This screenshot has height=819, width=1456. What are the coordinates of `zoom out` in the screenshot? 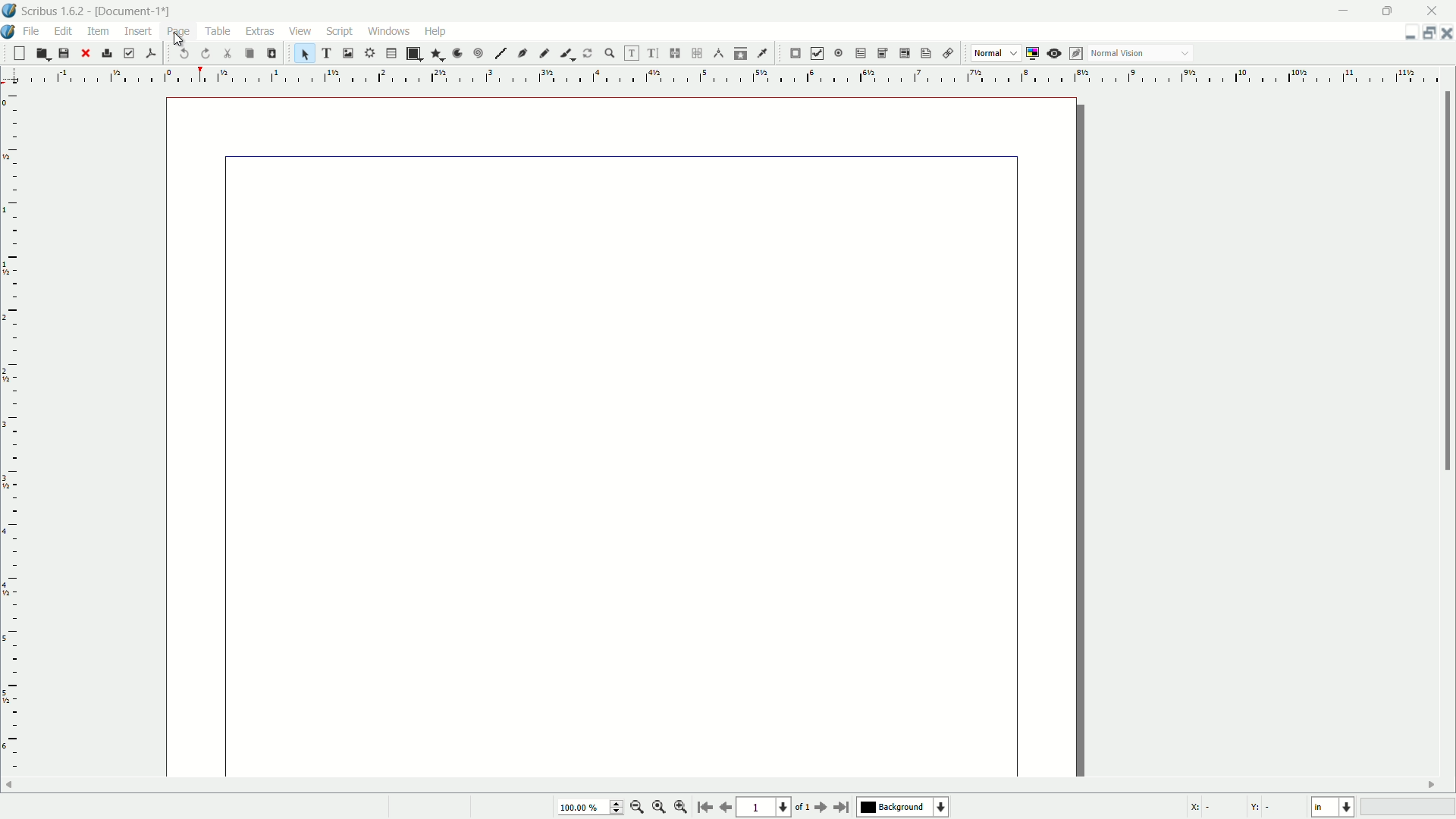 It's located at (638, 807).